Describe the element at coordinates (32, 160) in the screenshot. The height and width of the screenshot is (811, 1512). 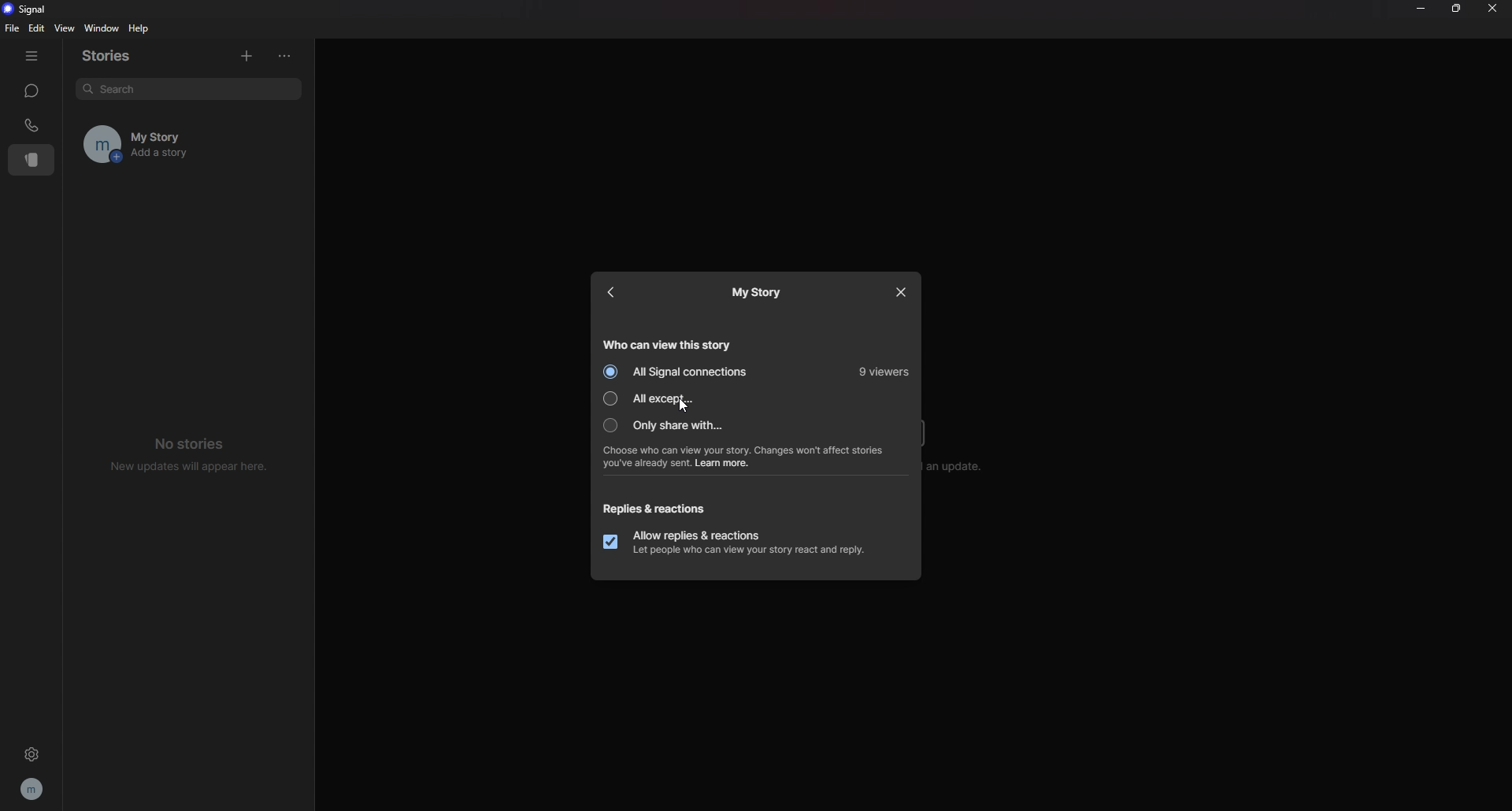
I see `stories` at that location.